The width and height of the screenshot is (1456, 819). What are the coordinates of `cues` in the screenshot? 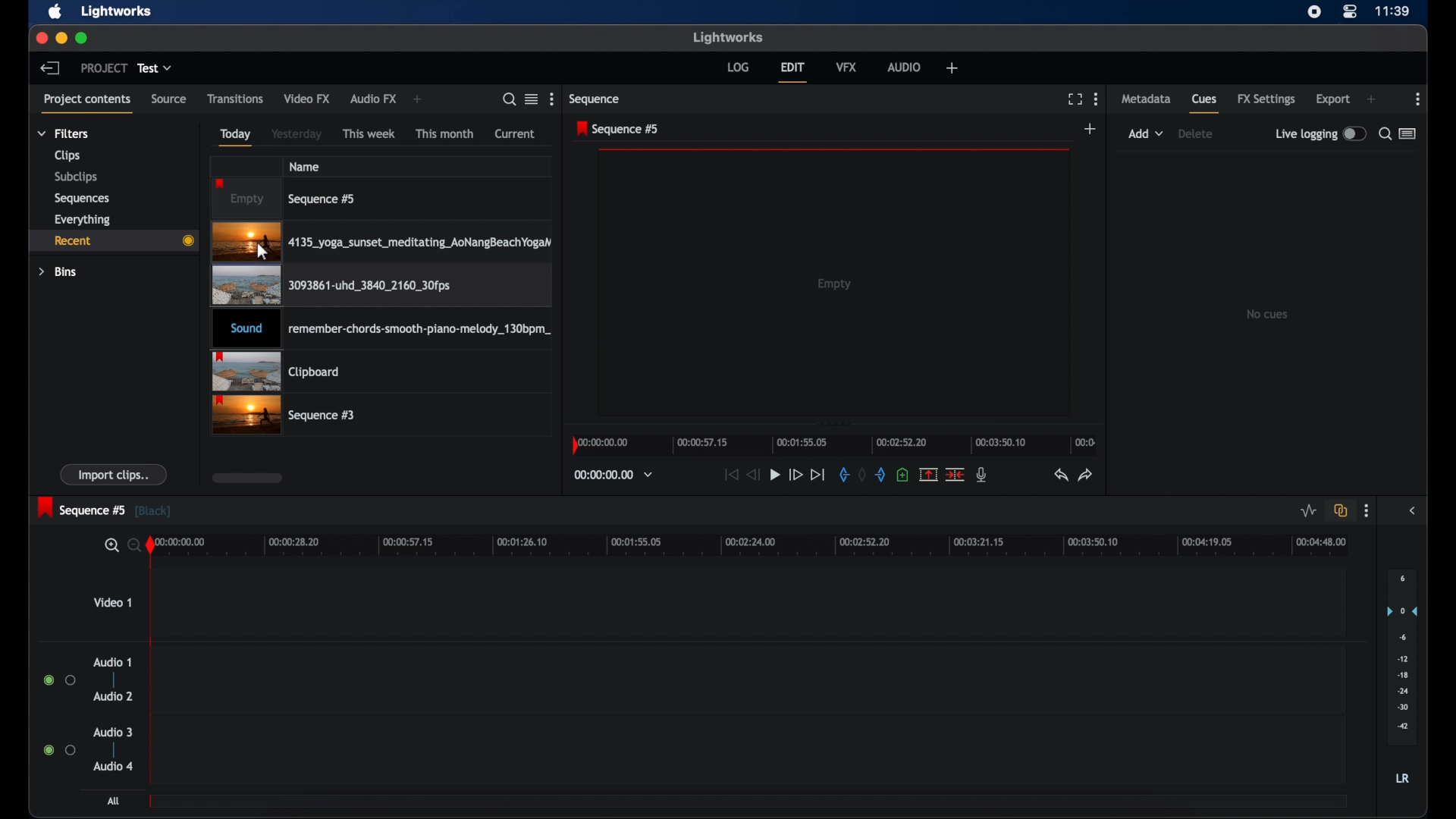 It's located at (1205, 104).